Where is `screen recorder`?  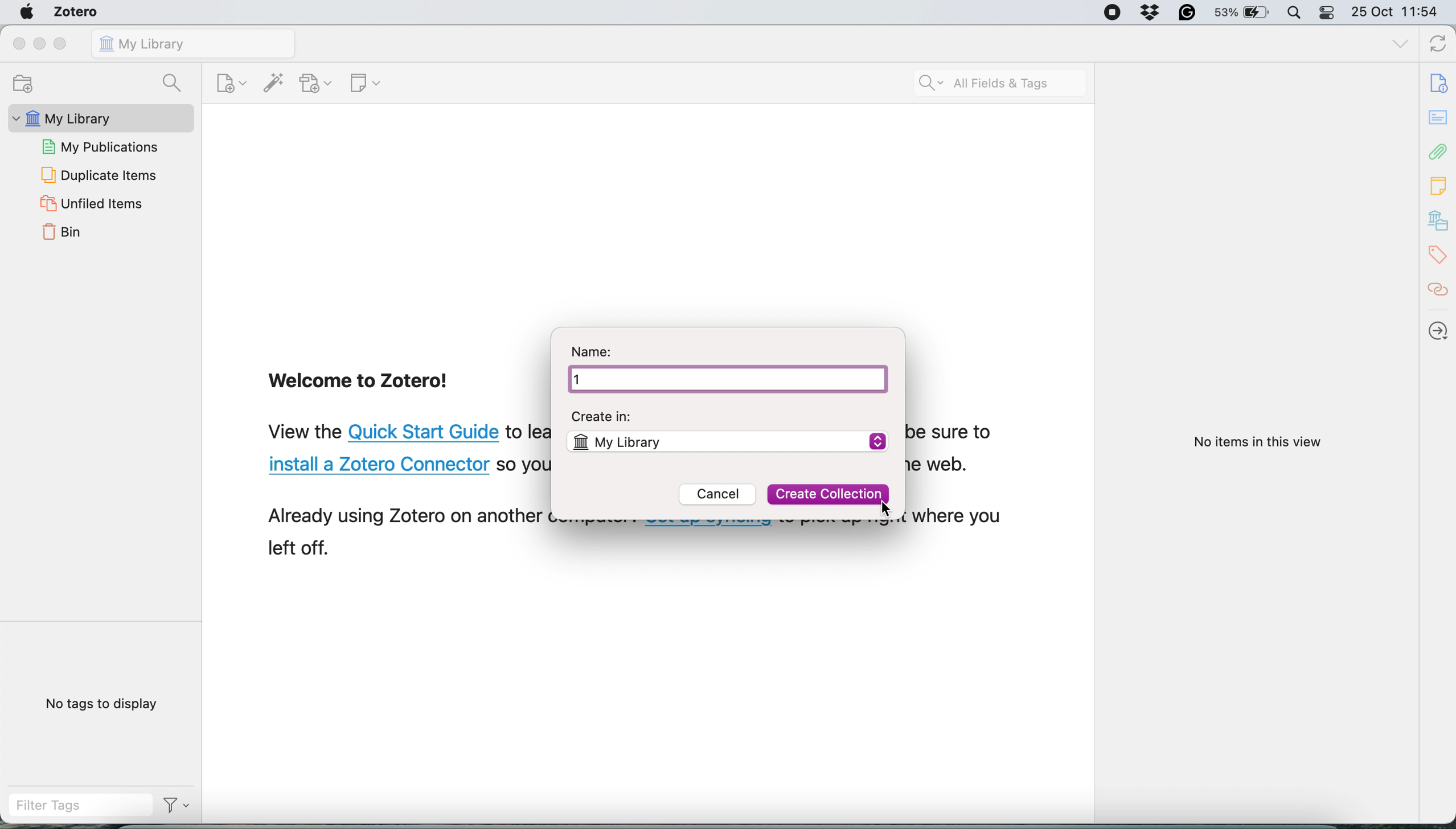 screen recorder is located at coordinates (1110, 13).